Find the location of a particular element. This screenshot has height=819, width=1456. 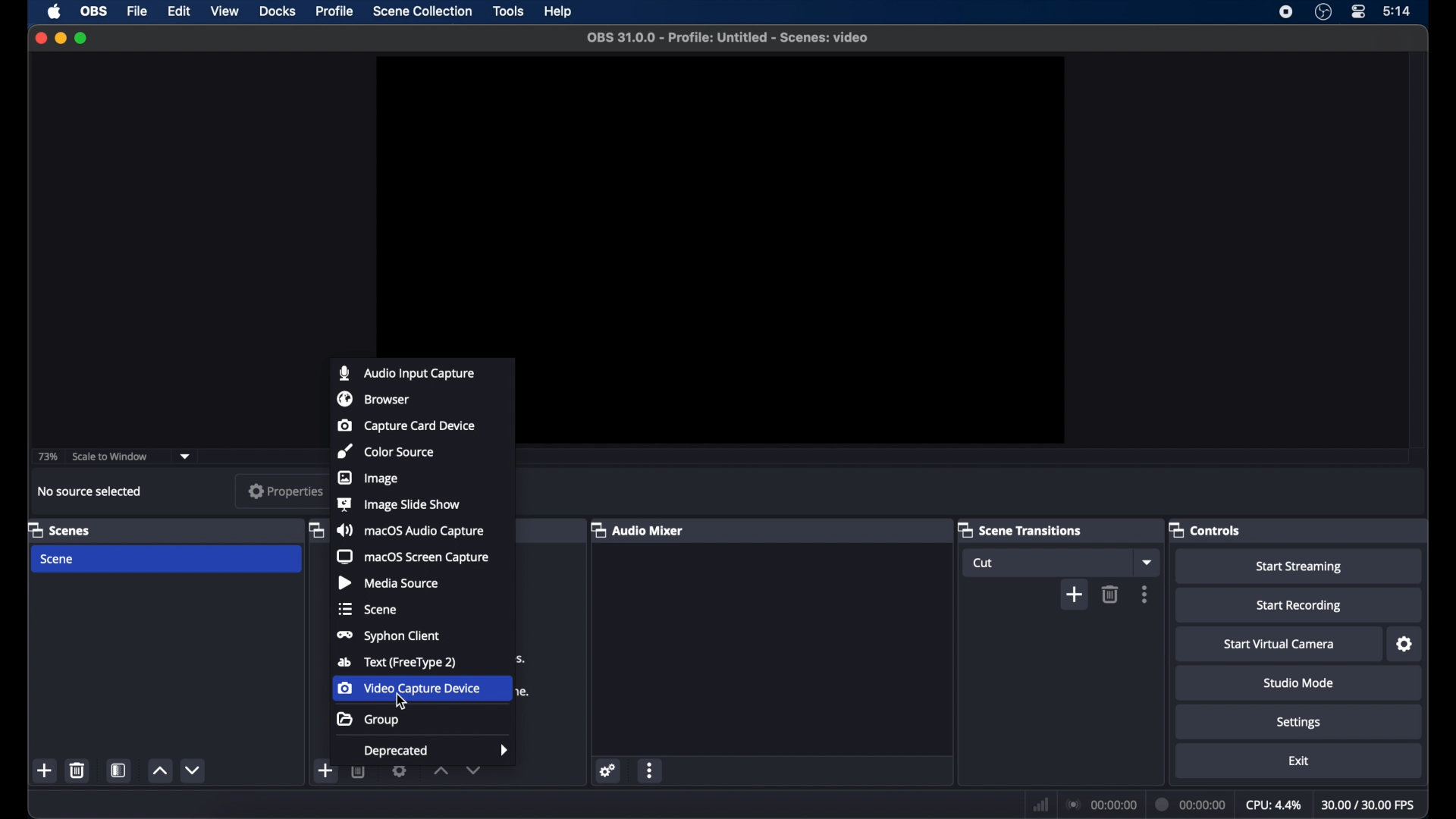

decrement is located at coordinates (474, 773).